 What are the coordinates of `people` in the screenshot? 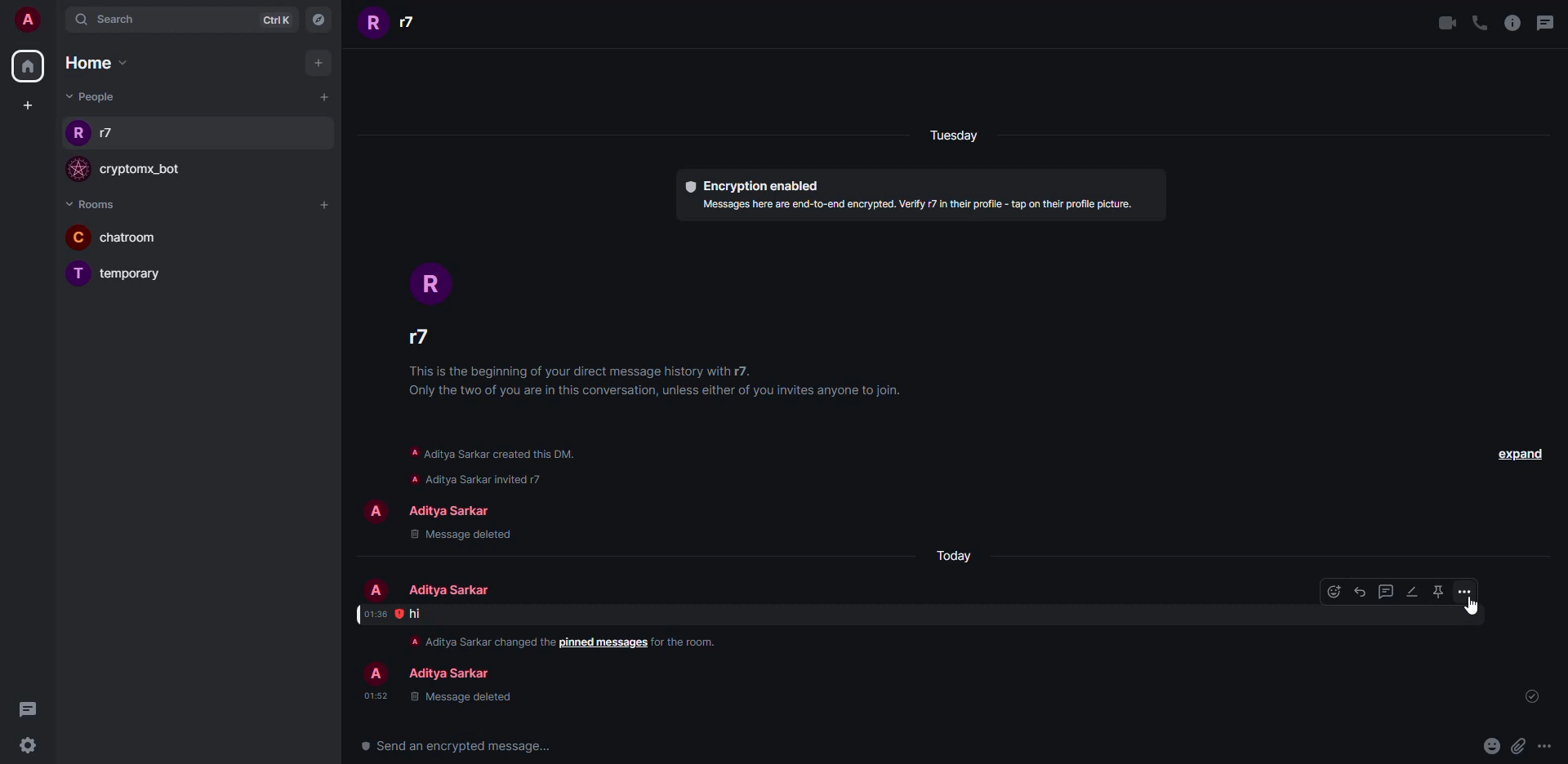 It's located at (446, 590).